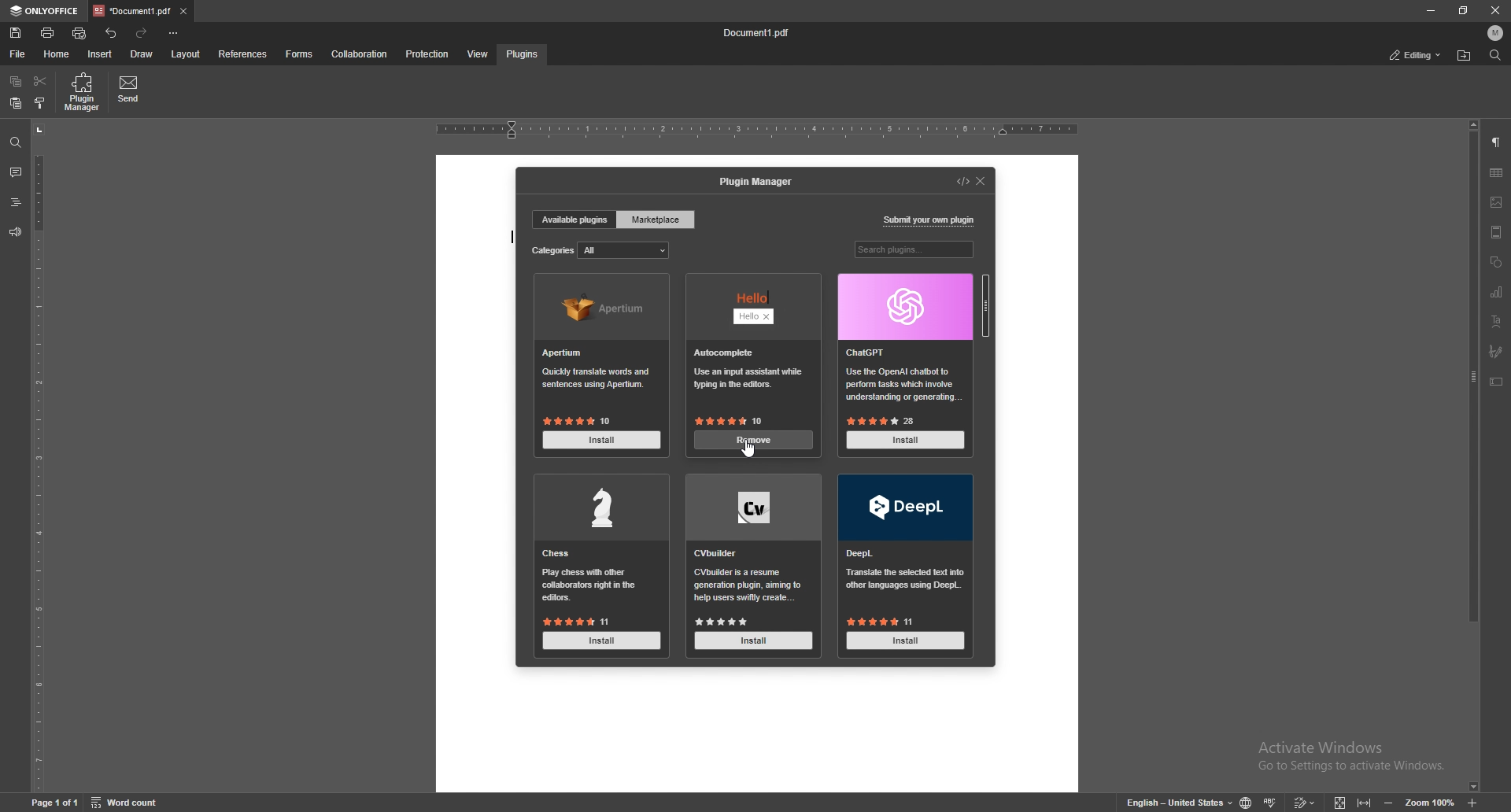  What do you see at coordinates (141, 55) in the screenshot?
I see `draw` at bounding box center [141, 55].